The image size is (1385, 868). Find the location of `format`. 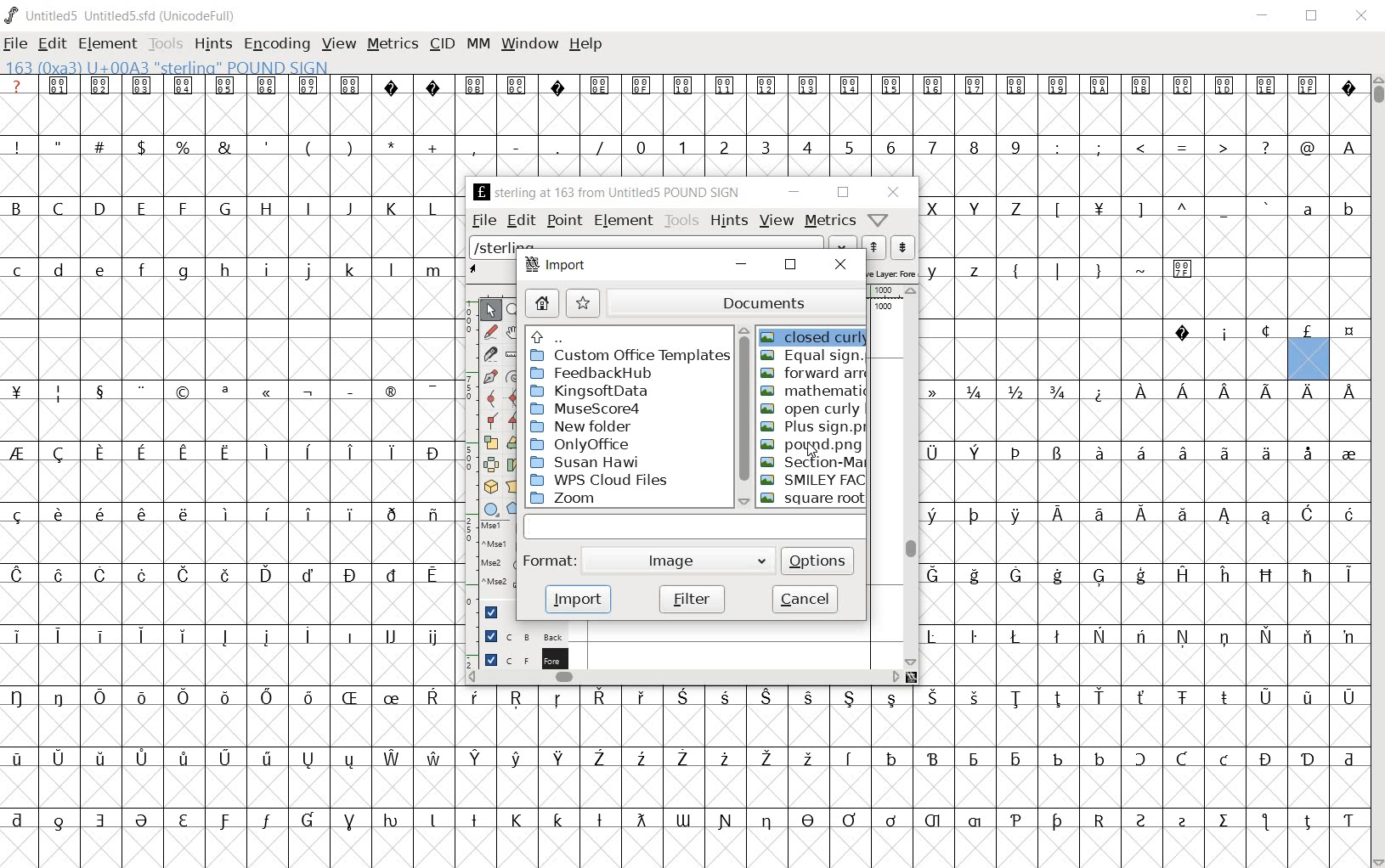

format is located at coordinates (550, 564).